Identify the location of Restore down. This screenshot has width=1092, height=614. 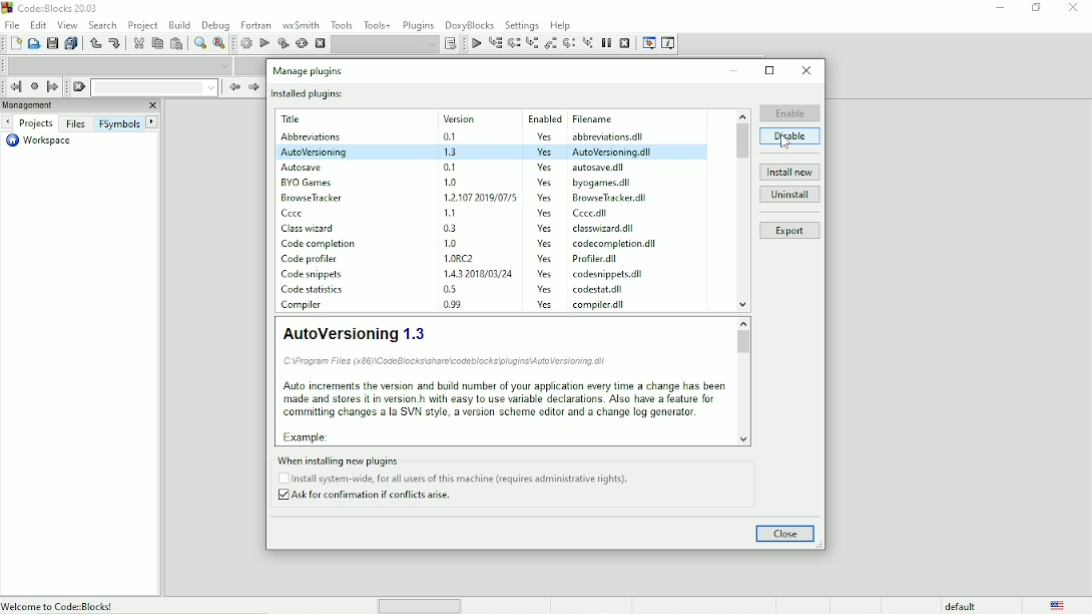
(1036, 8).